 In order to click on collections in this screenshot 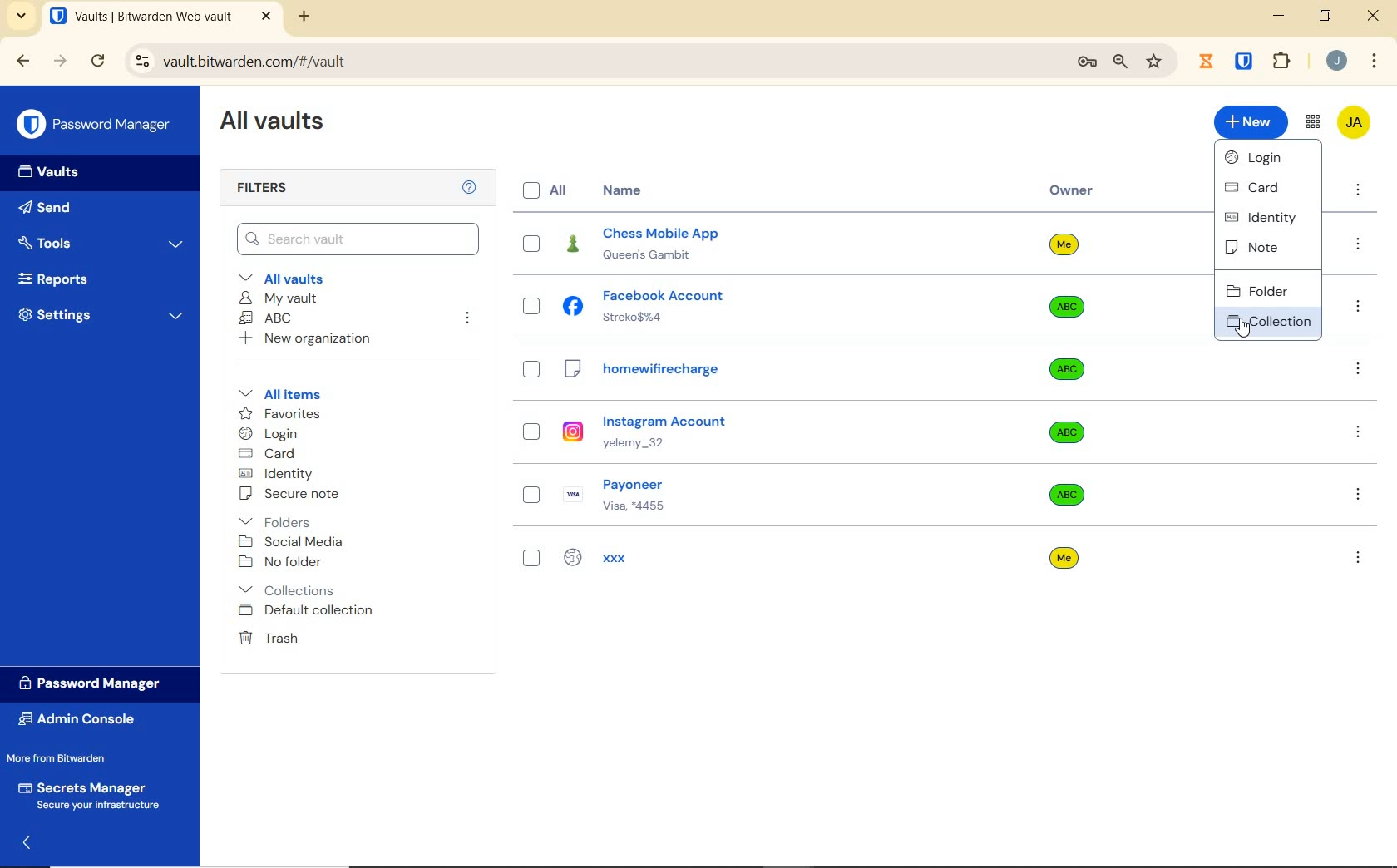, I will do `click(289, 589)`.